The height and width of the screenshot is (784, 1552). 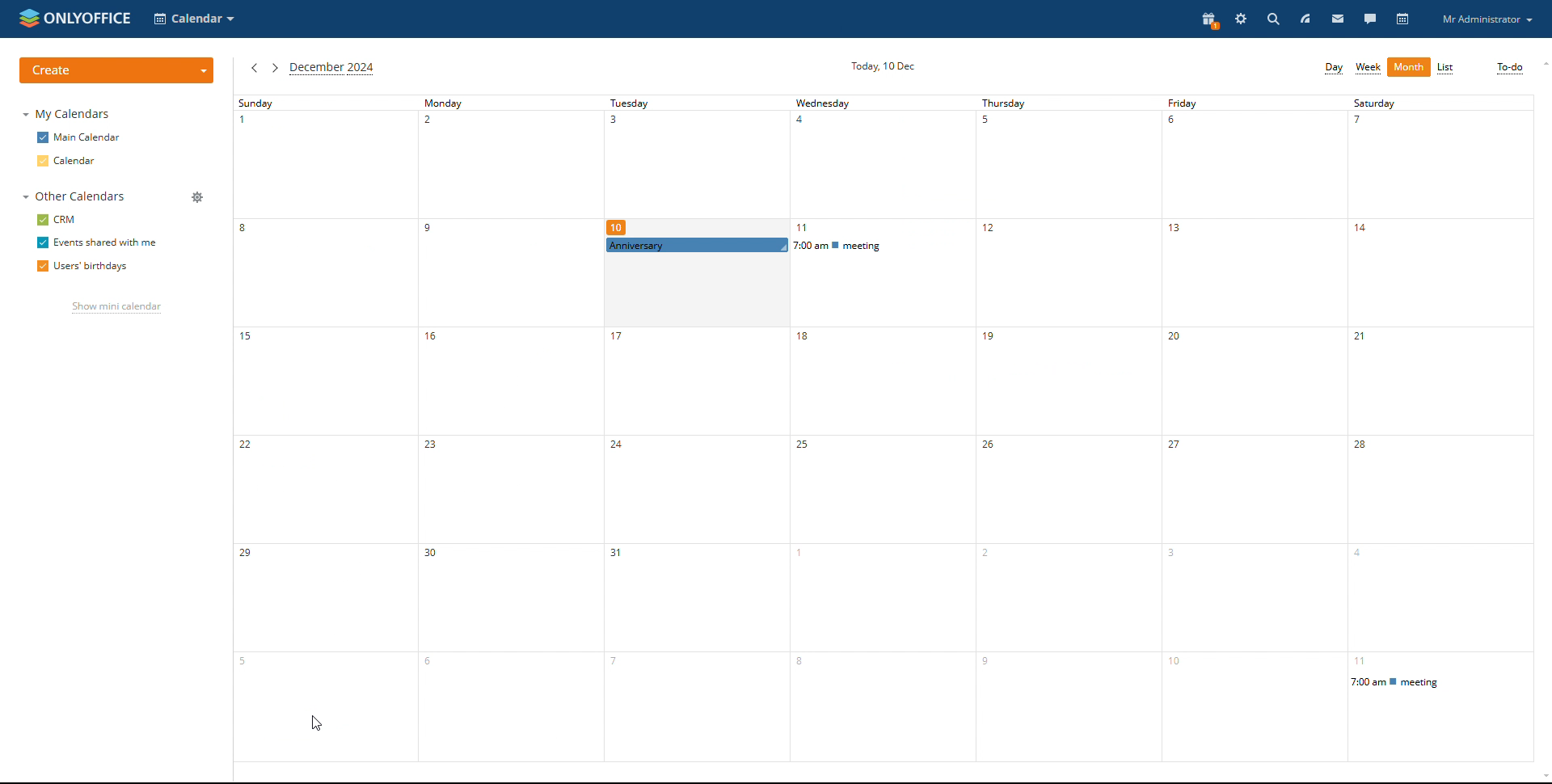 What do you see at coordinates (1333, 69) in the screenshot?
I see `day view` at bounding box center [1333, 69].